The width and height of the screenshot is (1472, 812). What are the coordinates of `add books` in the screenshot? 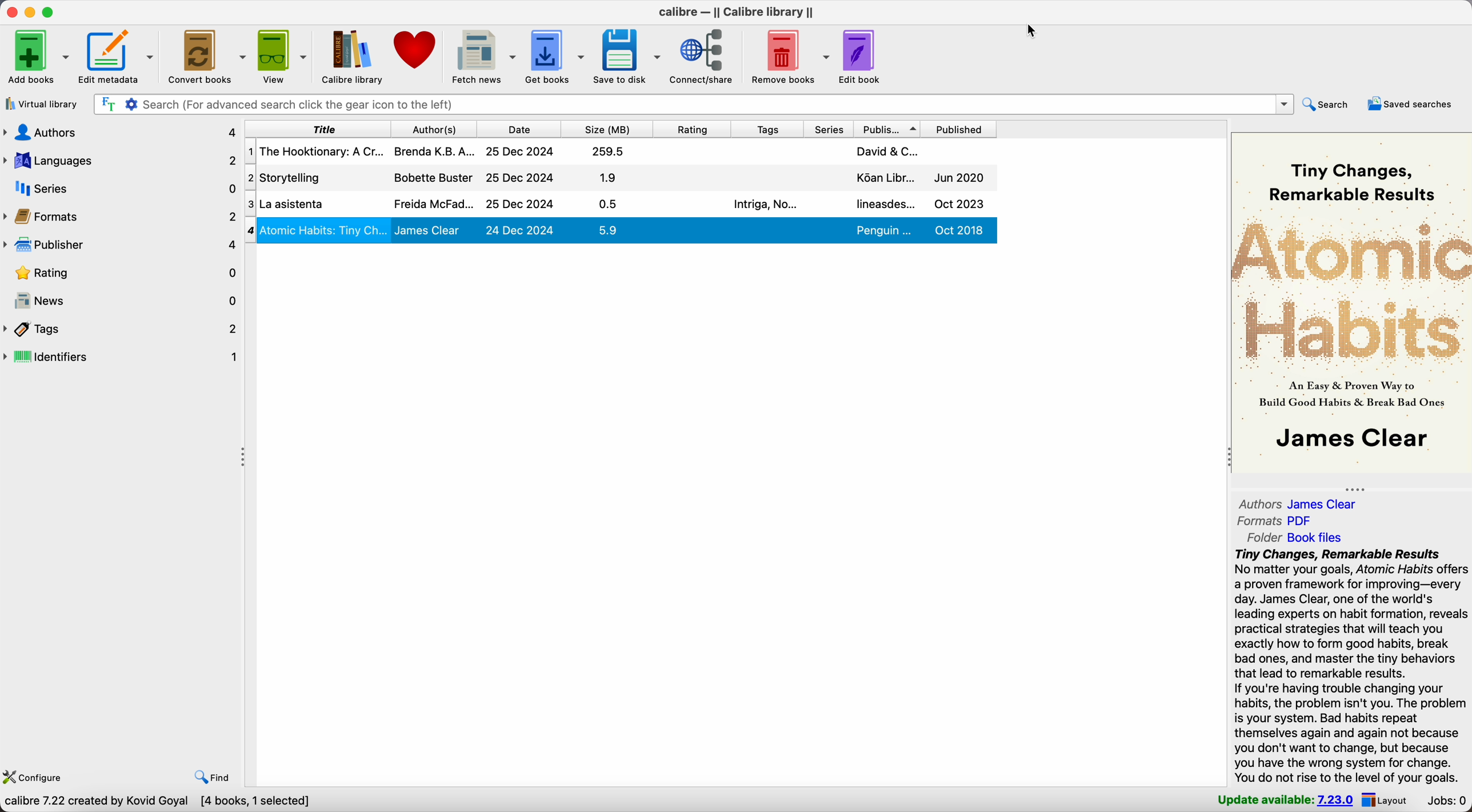 It's located at (38, 57).